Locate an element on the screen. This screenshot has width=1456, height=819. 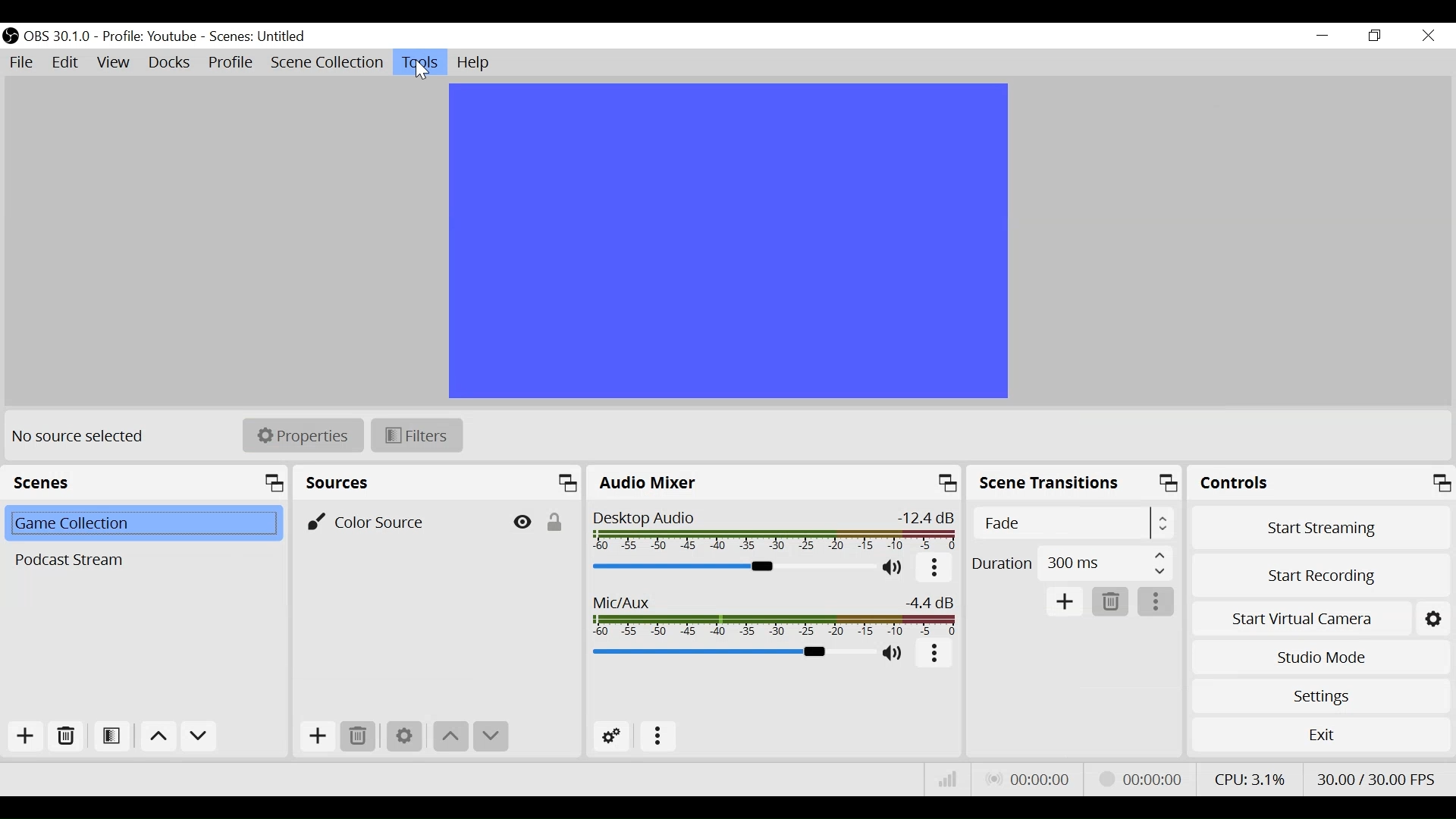
OBS Version is located at coordinates (58, 37).